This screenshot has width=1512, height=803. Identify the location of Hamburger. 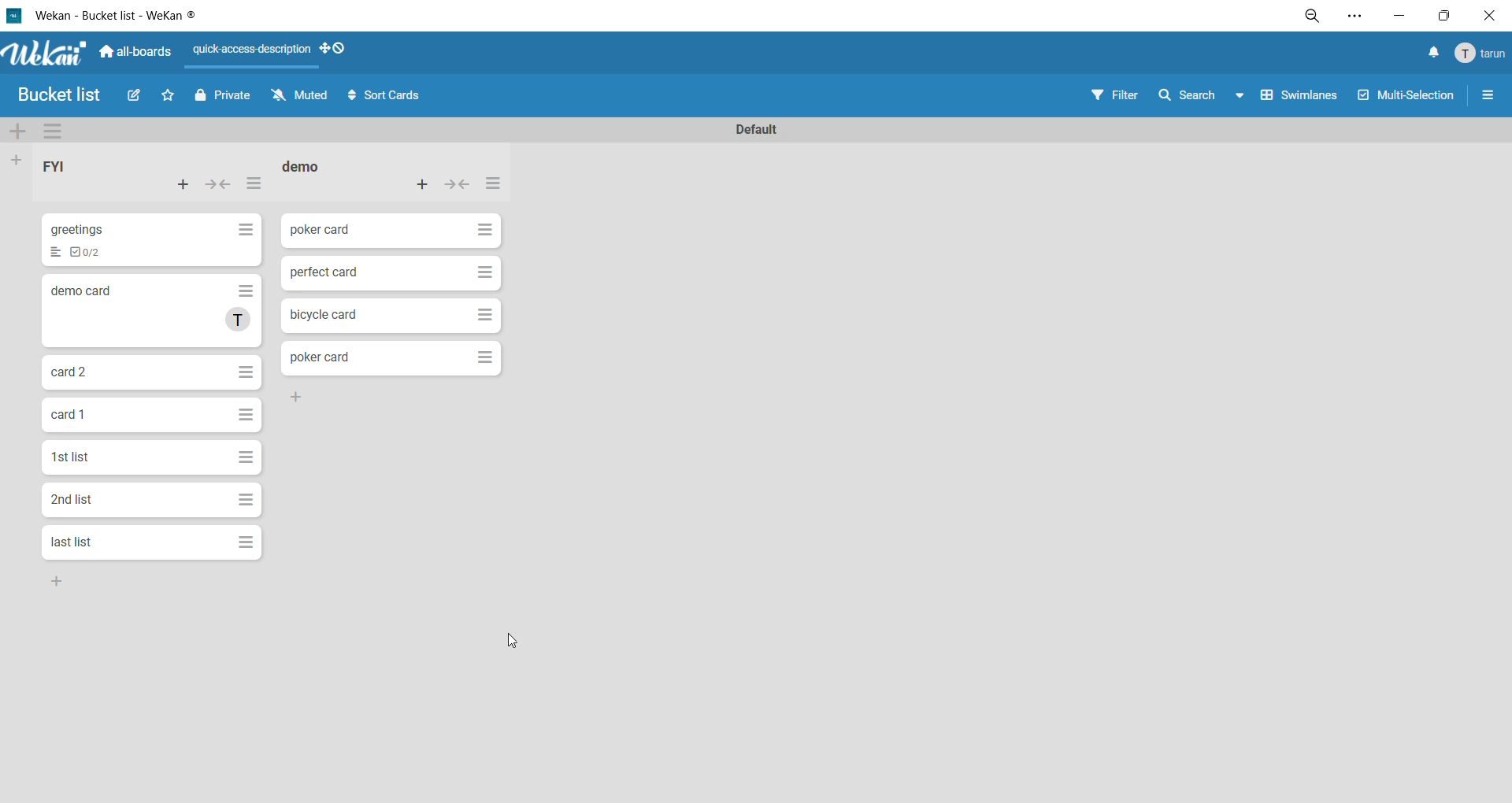
(484, 271).